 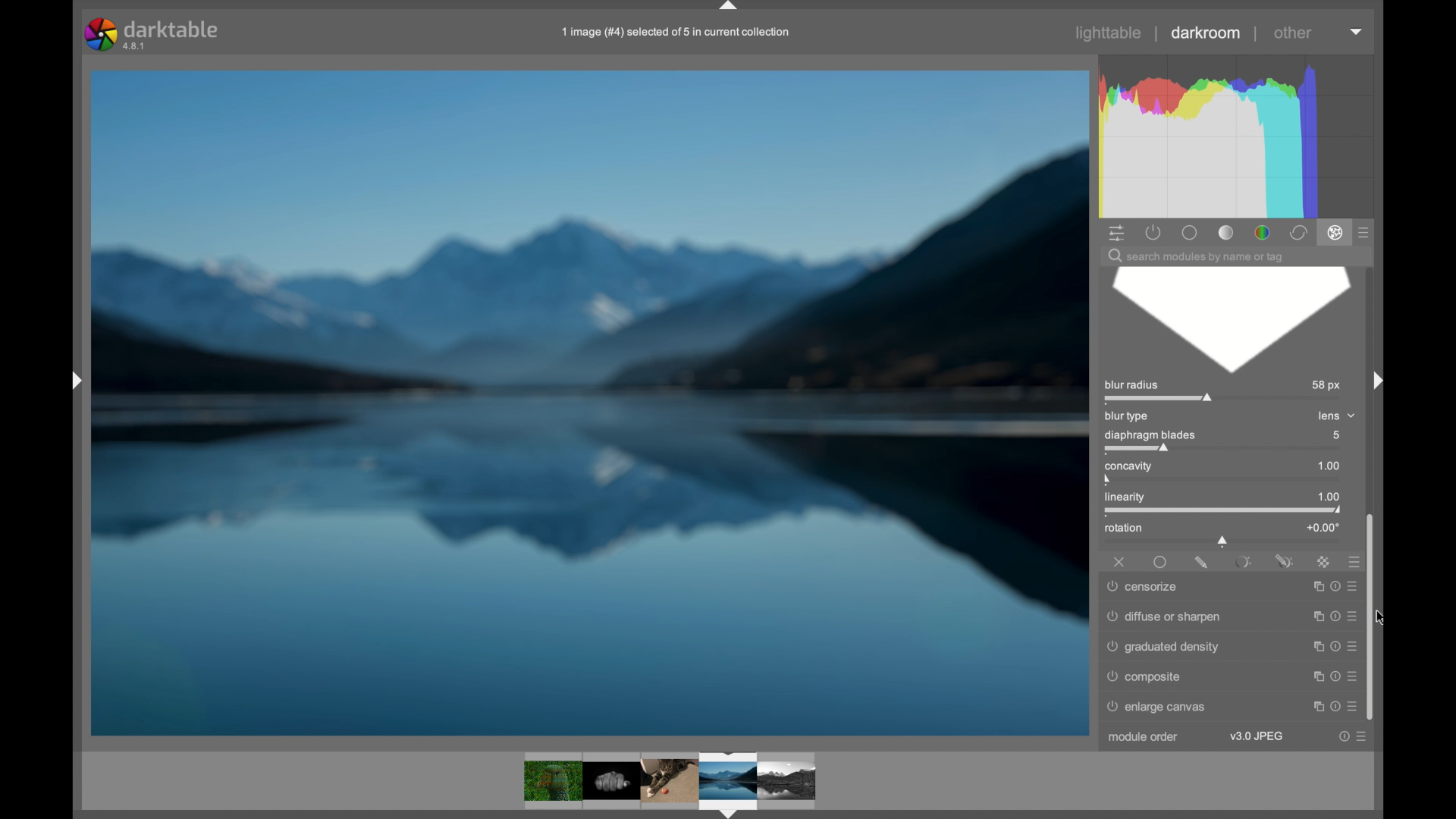 I want to click on cursor, so click(x=1389, y=620).